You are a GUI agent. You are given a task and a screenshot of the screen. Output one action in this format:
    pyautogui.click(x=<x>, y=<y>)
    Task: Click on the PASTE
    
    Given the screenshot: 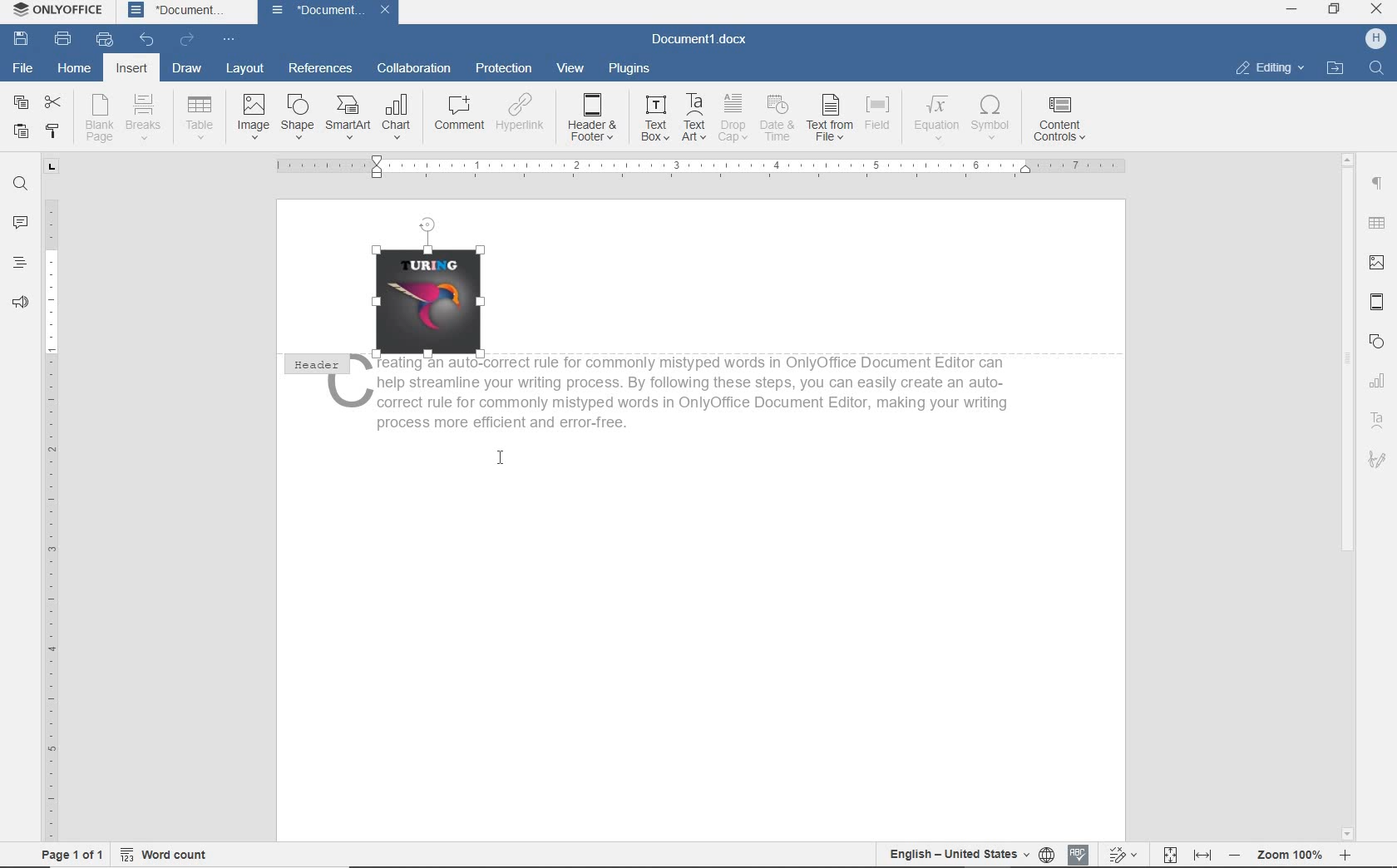 What is the action you would take?
    pyautogui.click(x=21, y=133)
    